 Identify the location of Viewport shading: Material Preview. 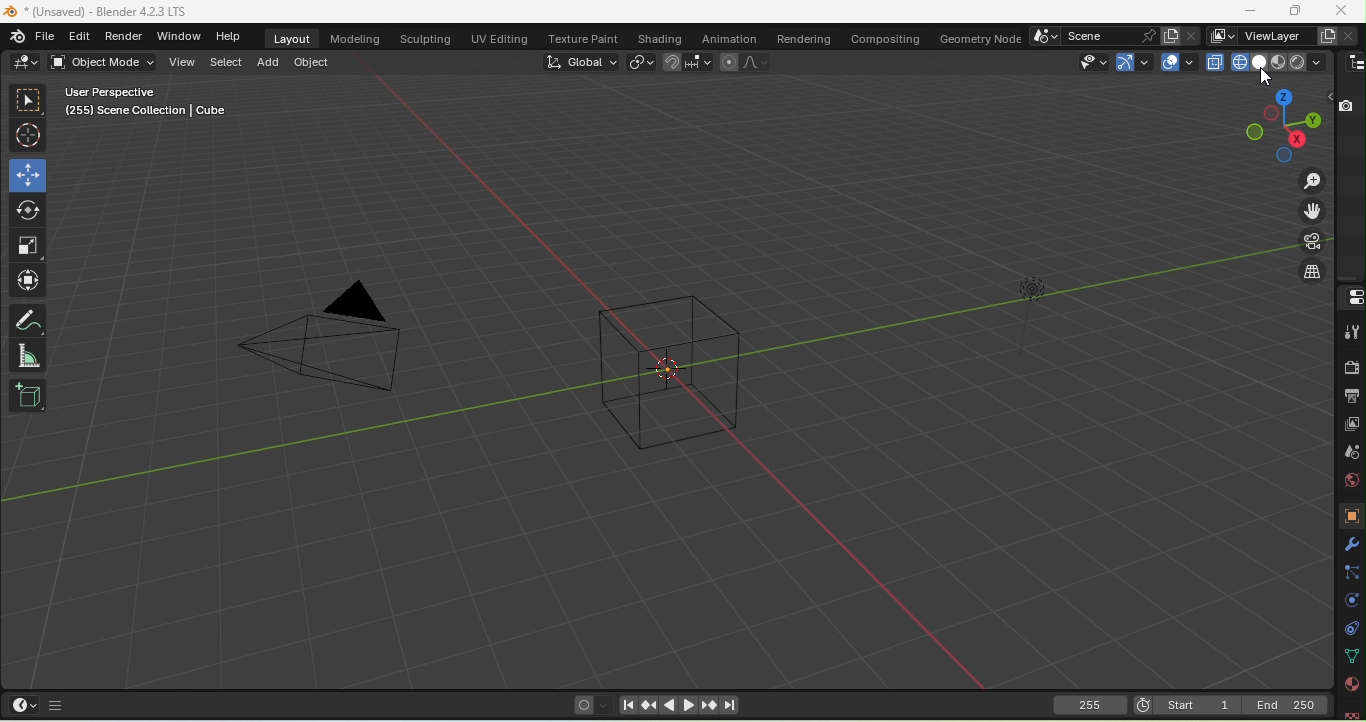
(1278, 62).